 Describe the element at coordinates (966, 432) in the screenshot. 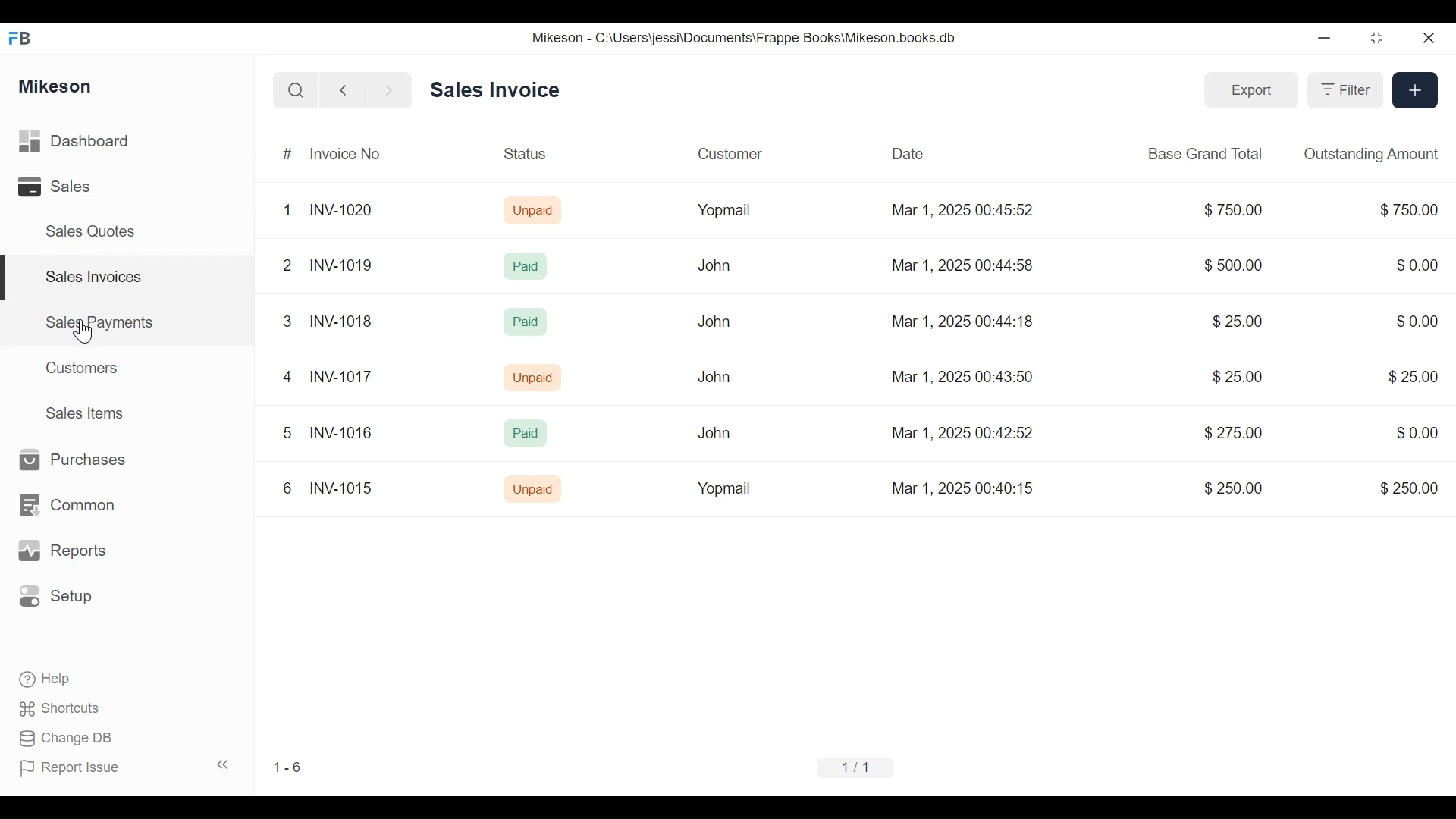

I see `Mar 1, 2025 00:42:52` at that location.